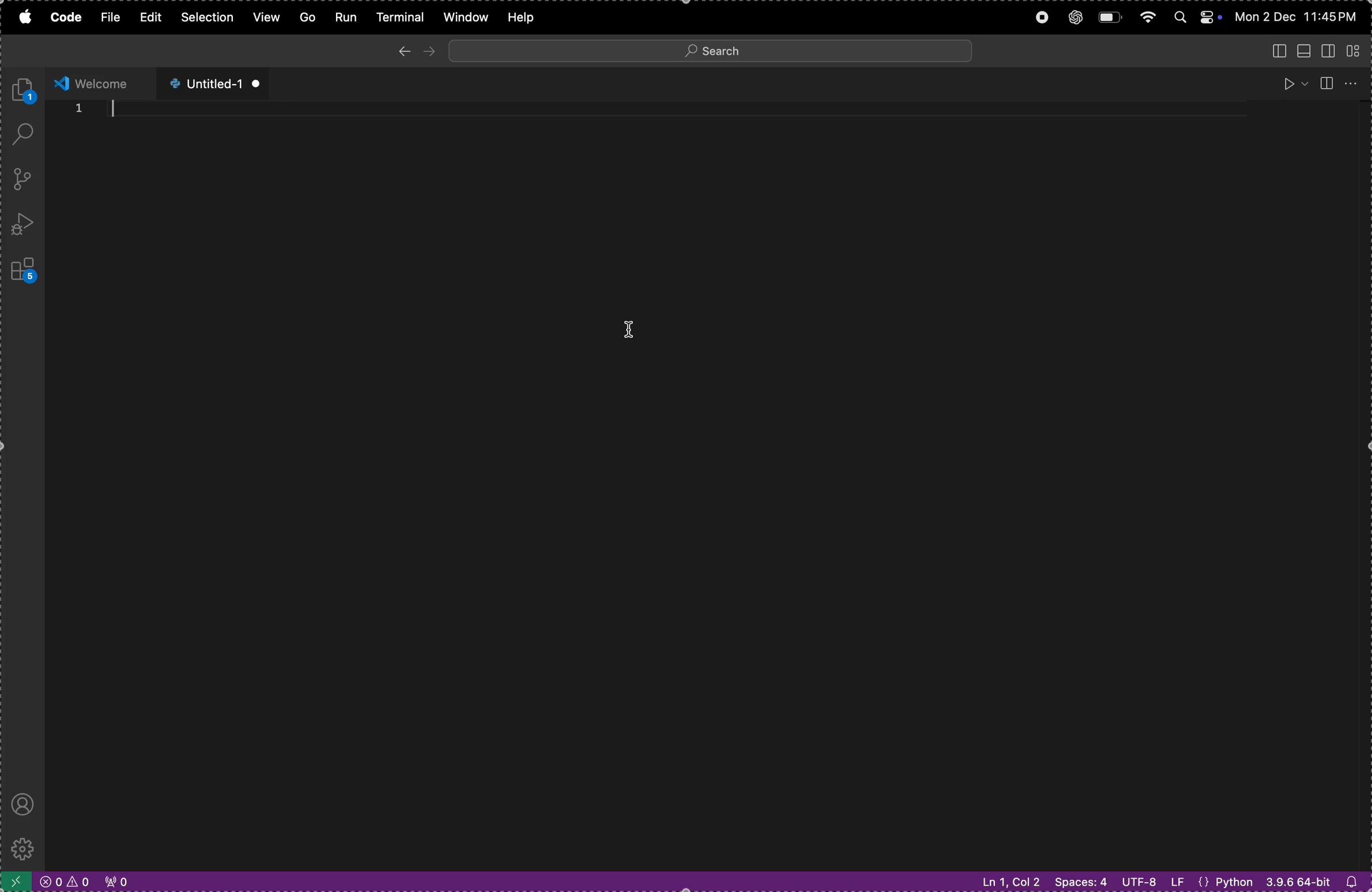  I want to click on search, so click(711, 49).